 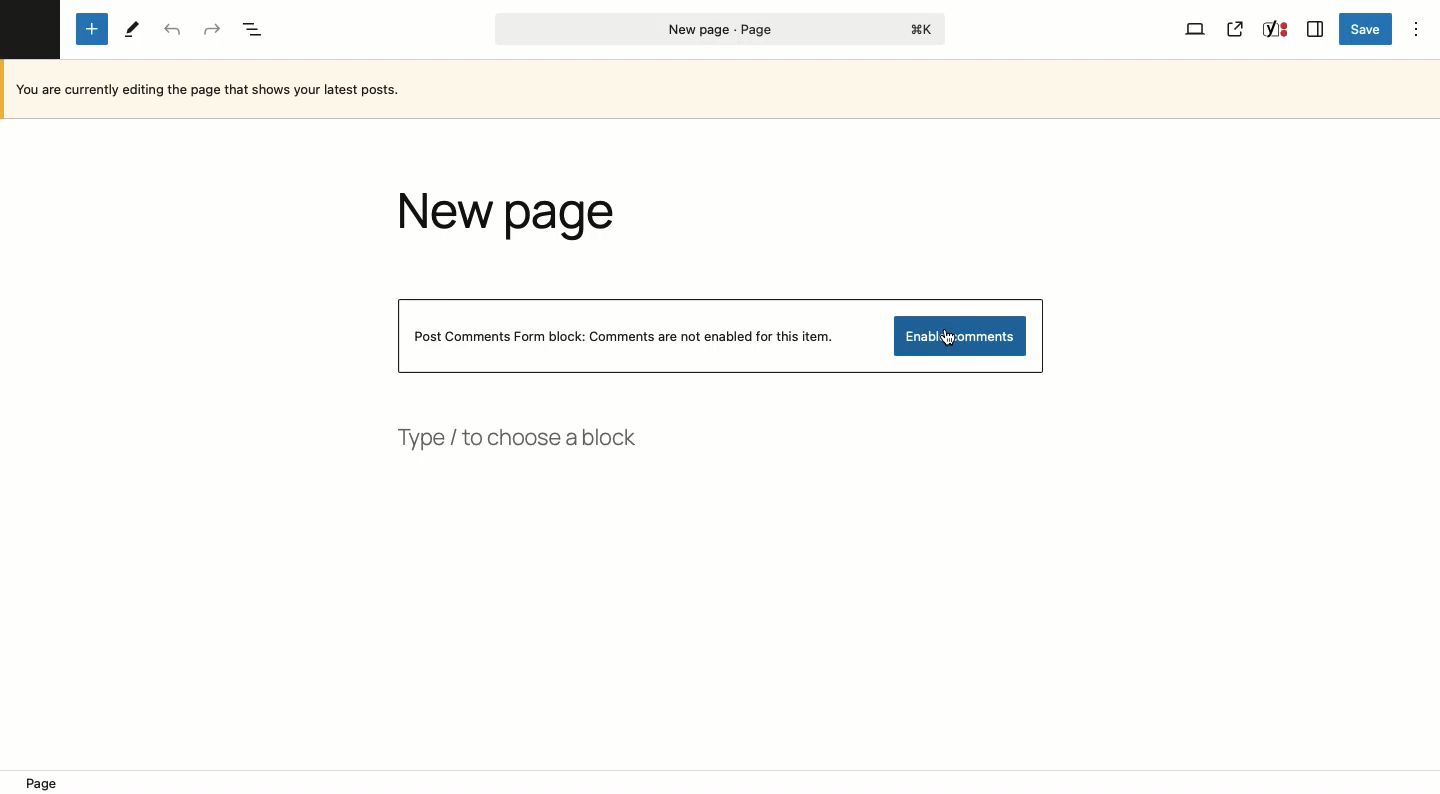 What do you see at coordinates (131, 29) in the screenshot?
I see `Tools` at bounding box center [131, 29].